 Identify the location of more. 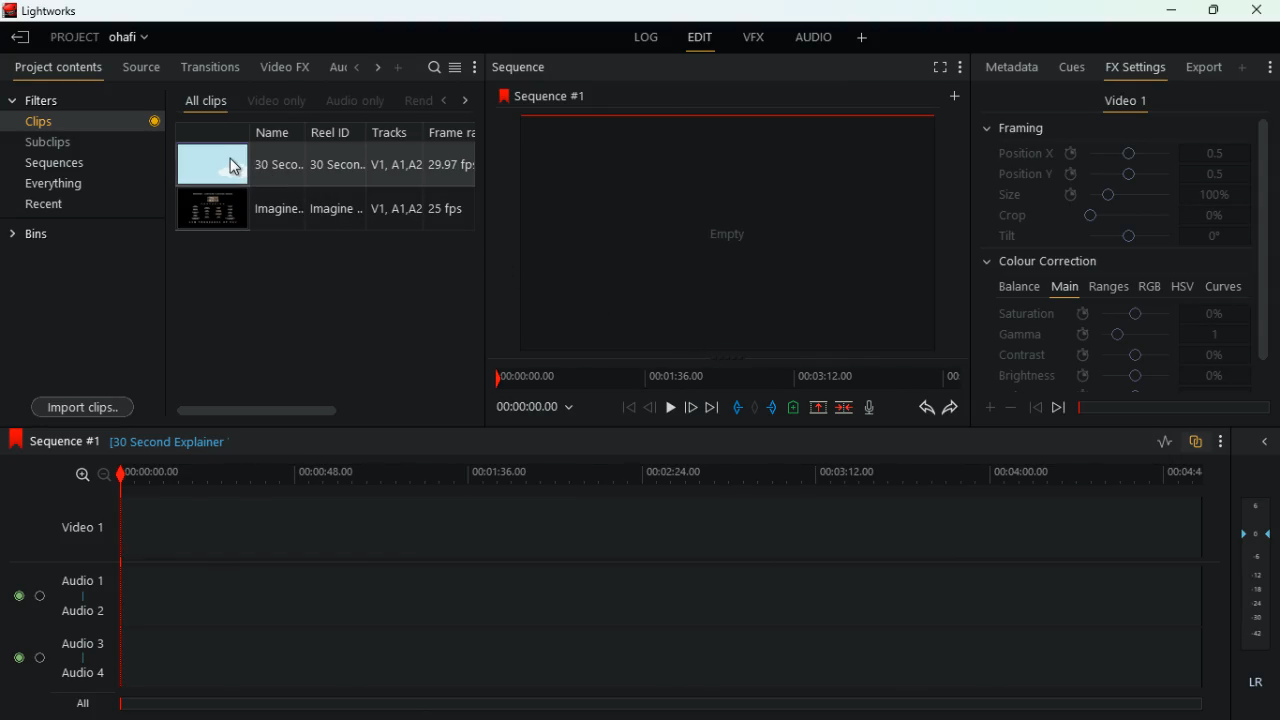
(400, 67).